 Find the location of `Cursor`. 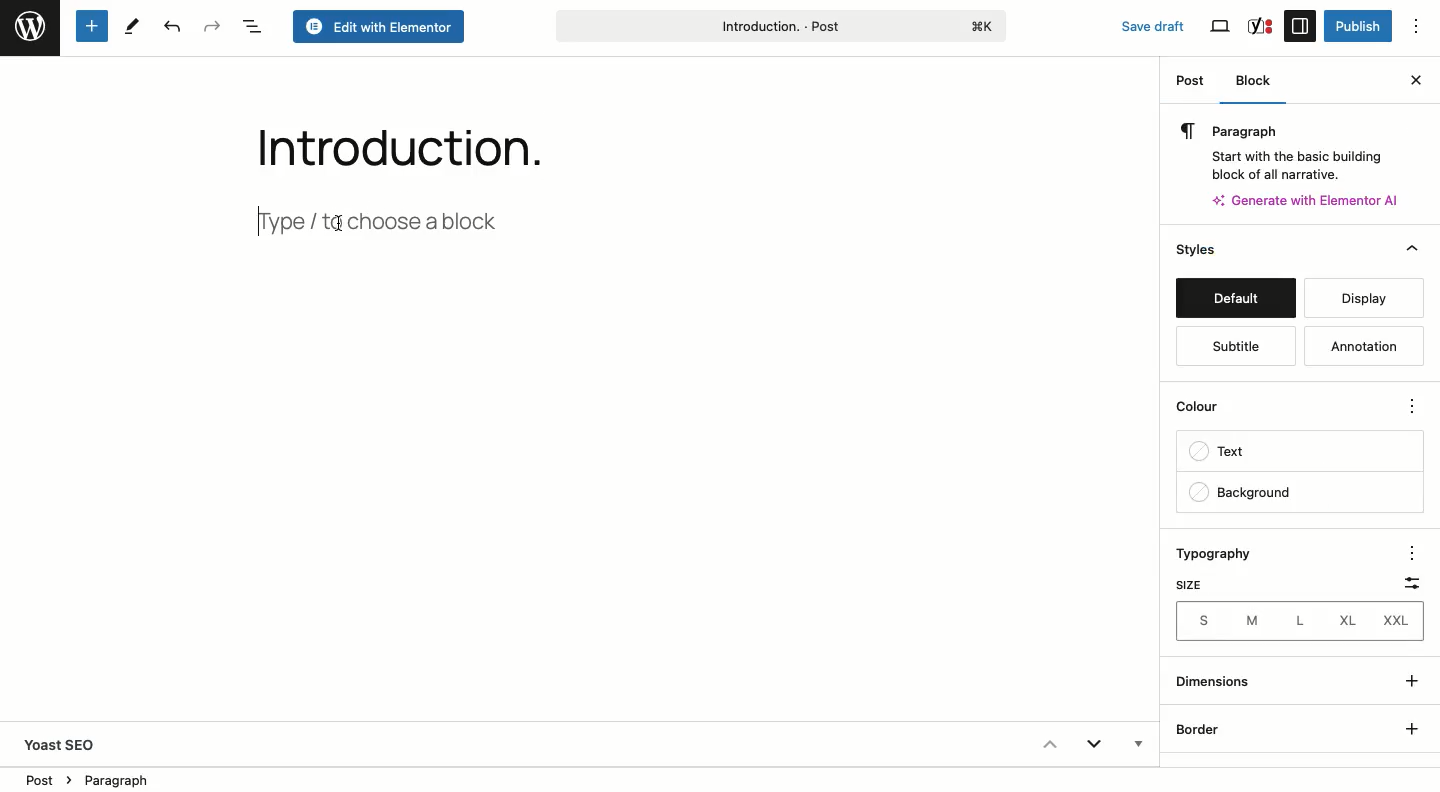

Cursor is located at coordinates (343, 224).